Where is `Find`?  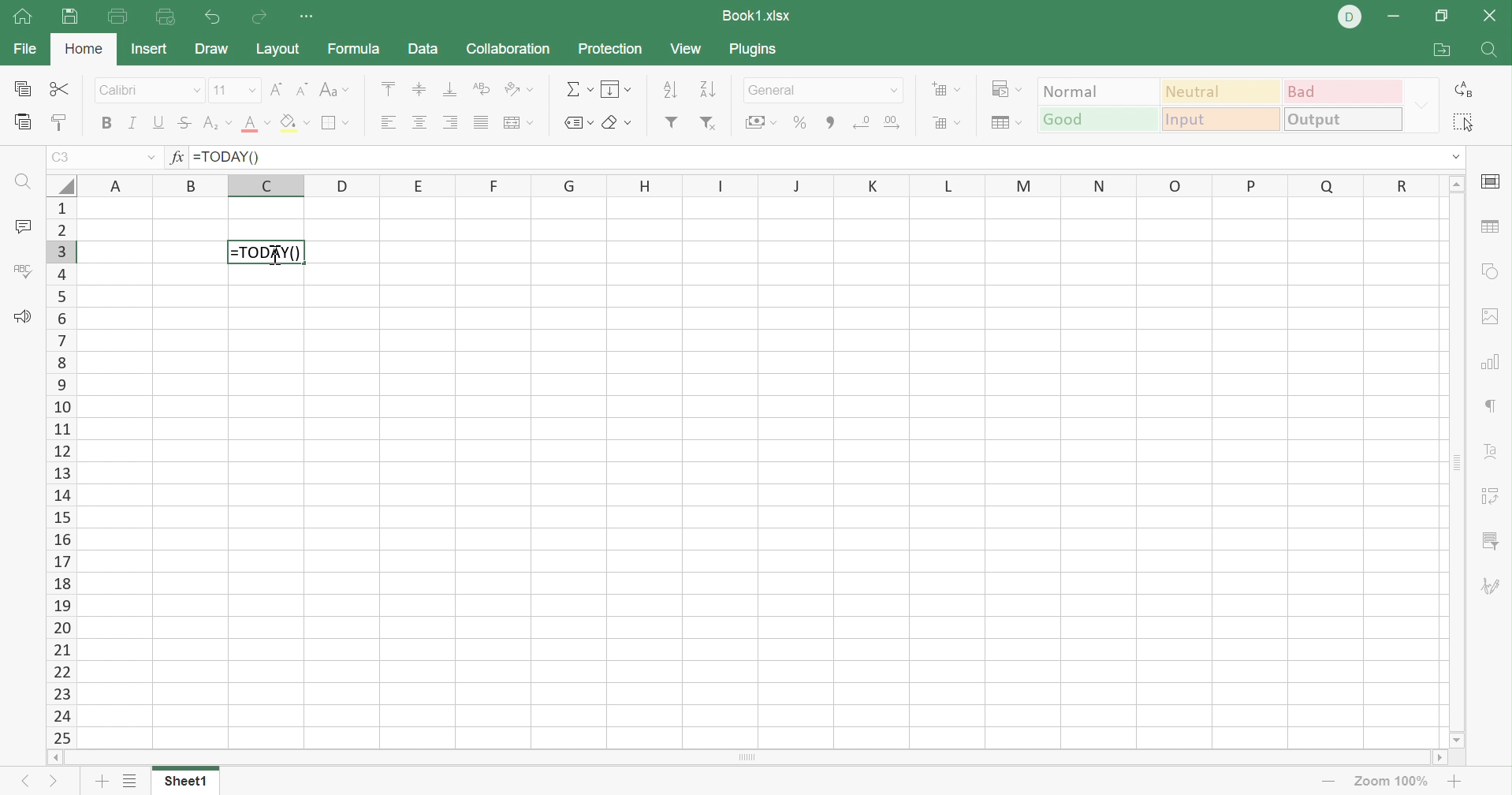 Find is located at coordinates (1488, 50).